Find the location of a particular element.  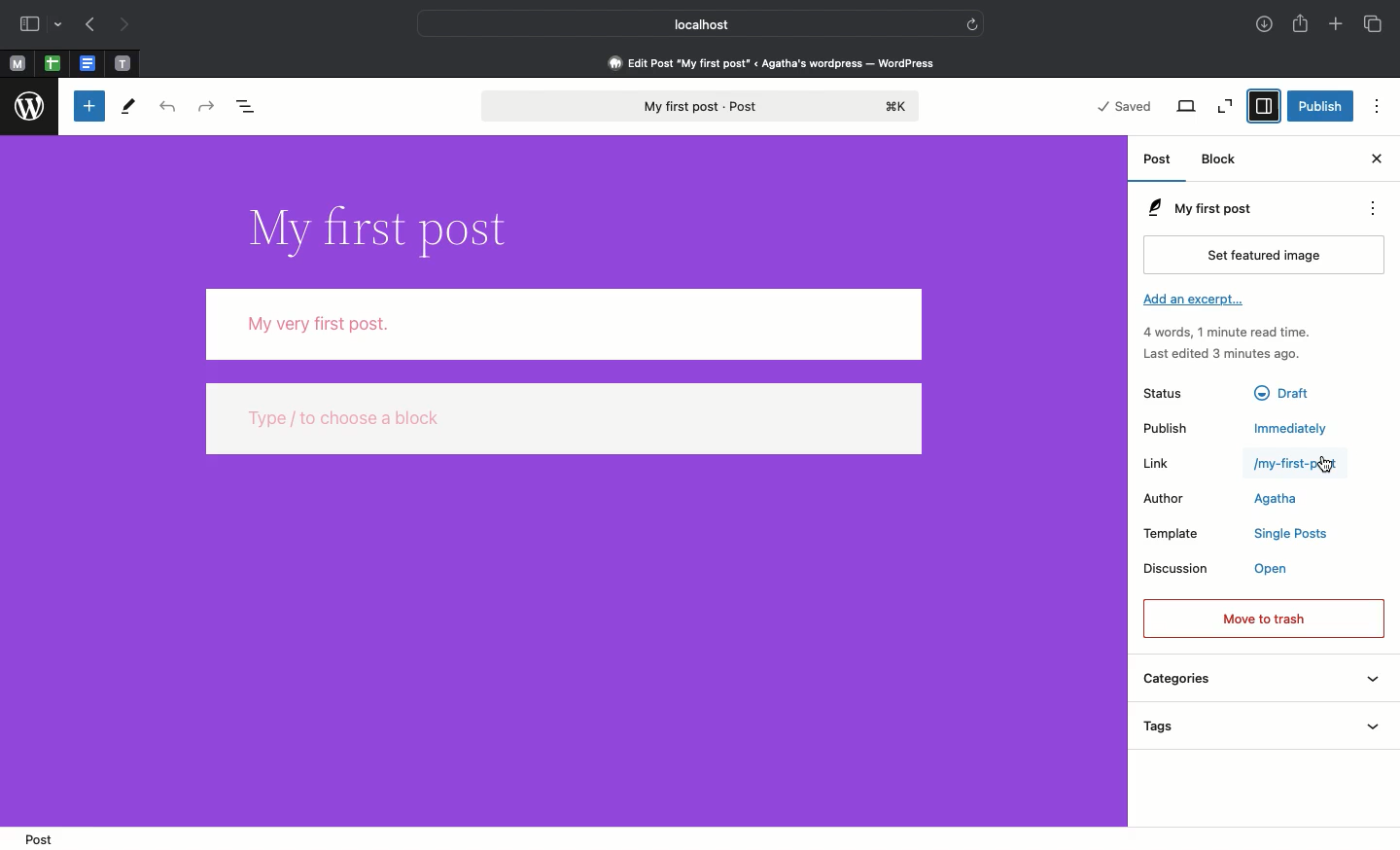

Draft is located at coordinates (1286, 393).